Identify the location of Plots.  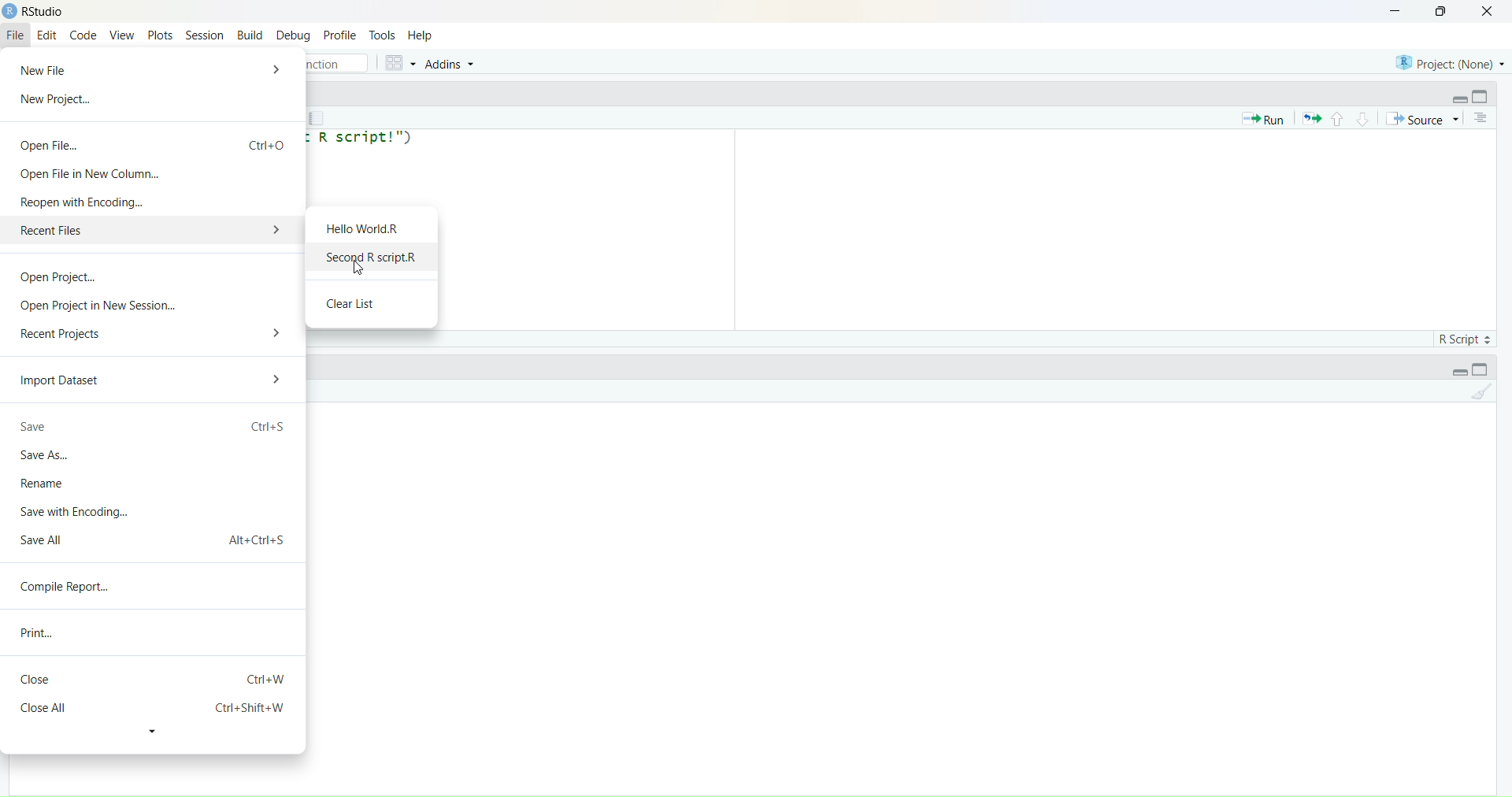
(159, 35).